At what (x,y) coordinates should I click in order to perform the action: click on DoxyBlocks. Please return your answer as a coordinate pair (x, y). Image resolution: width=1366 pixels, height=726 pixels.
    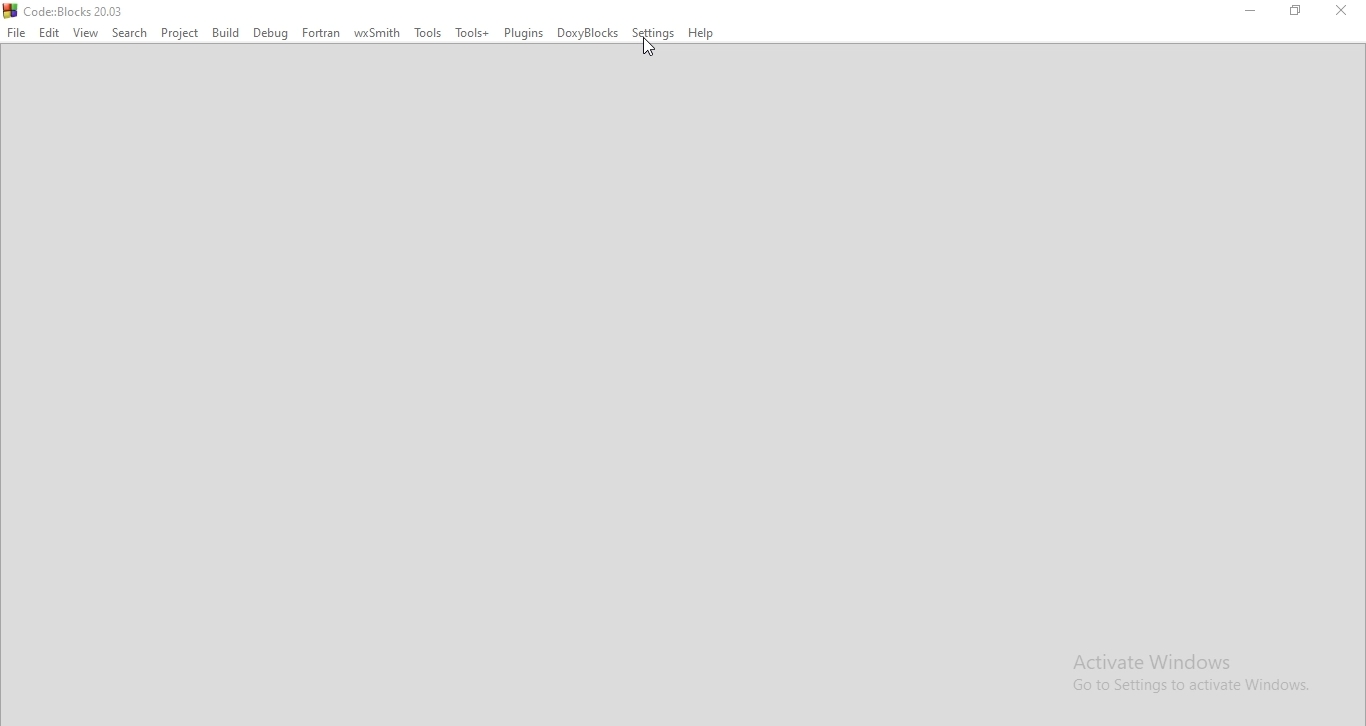
    Looking at the image, I should click on (589, 34).